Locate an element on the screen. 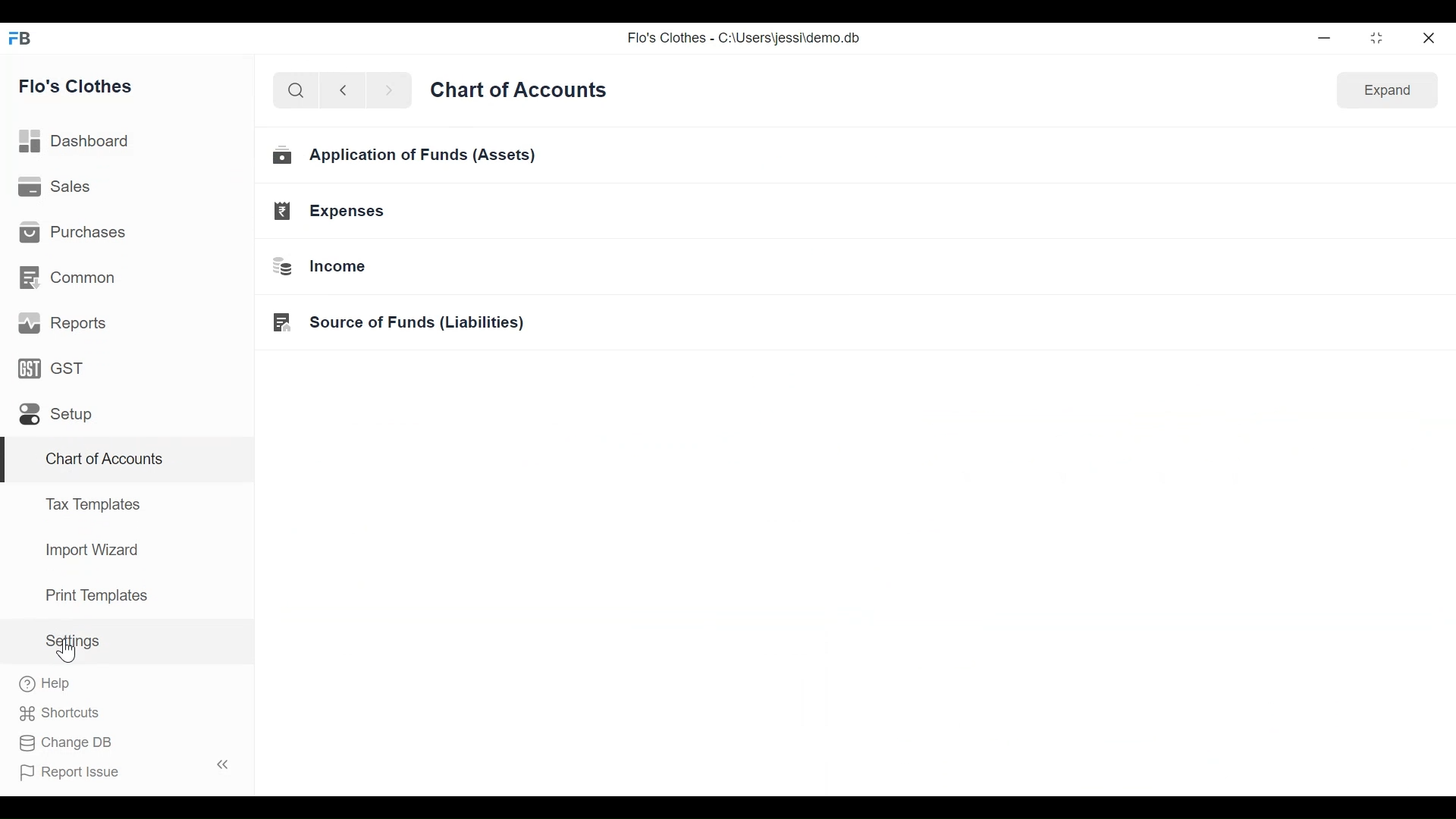 The height and width of the screenshot is (819, 1456). expand is located at coordinates (1388, 91).